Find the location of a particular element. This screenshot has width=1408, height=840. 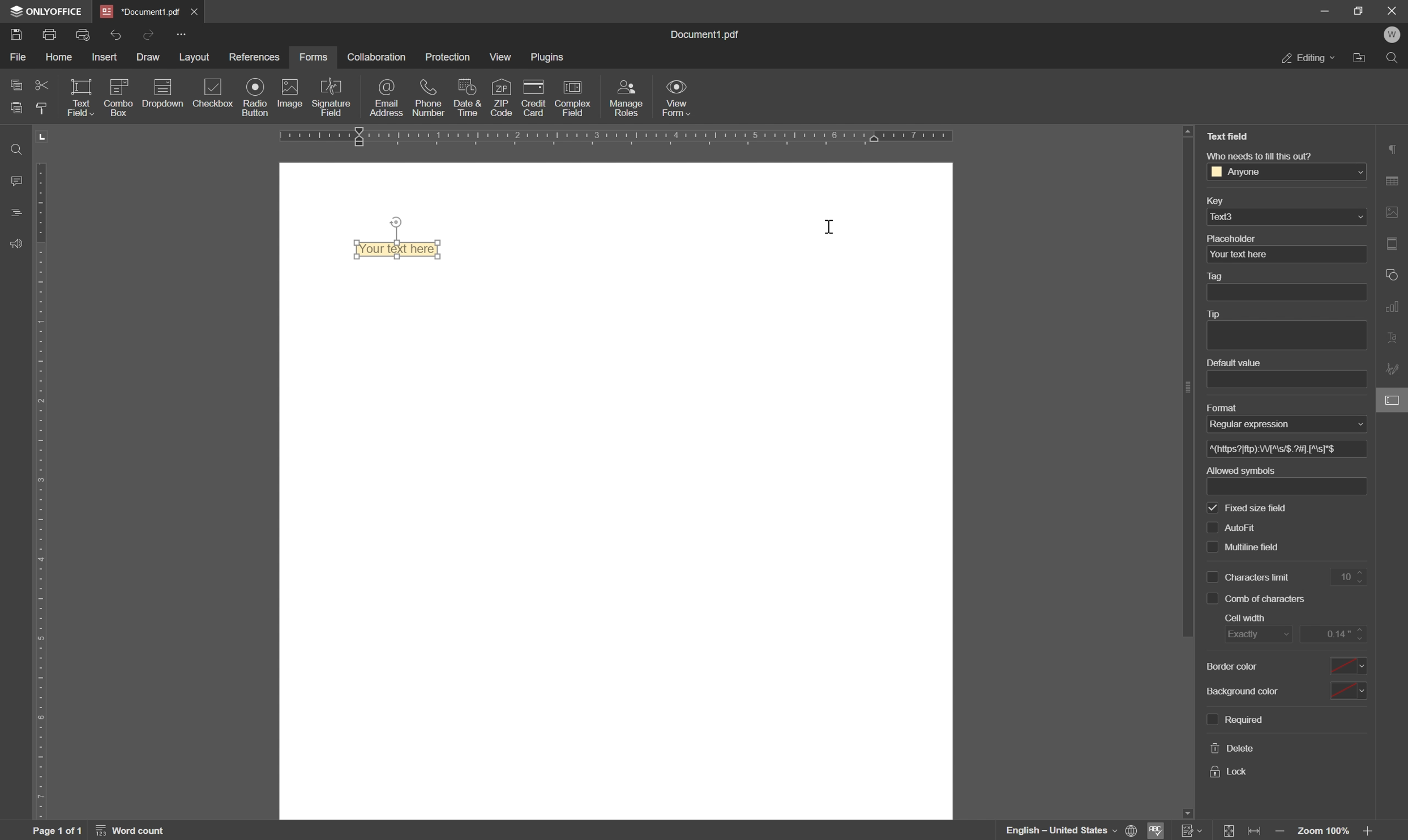

credit card is located at coordinates (534, 98).